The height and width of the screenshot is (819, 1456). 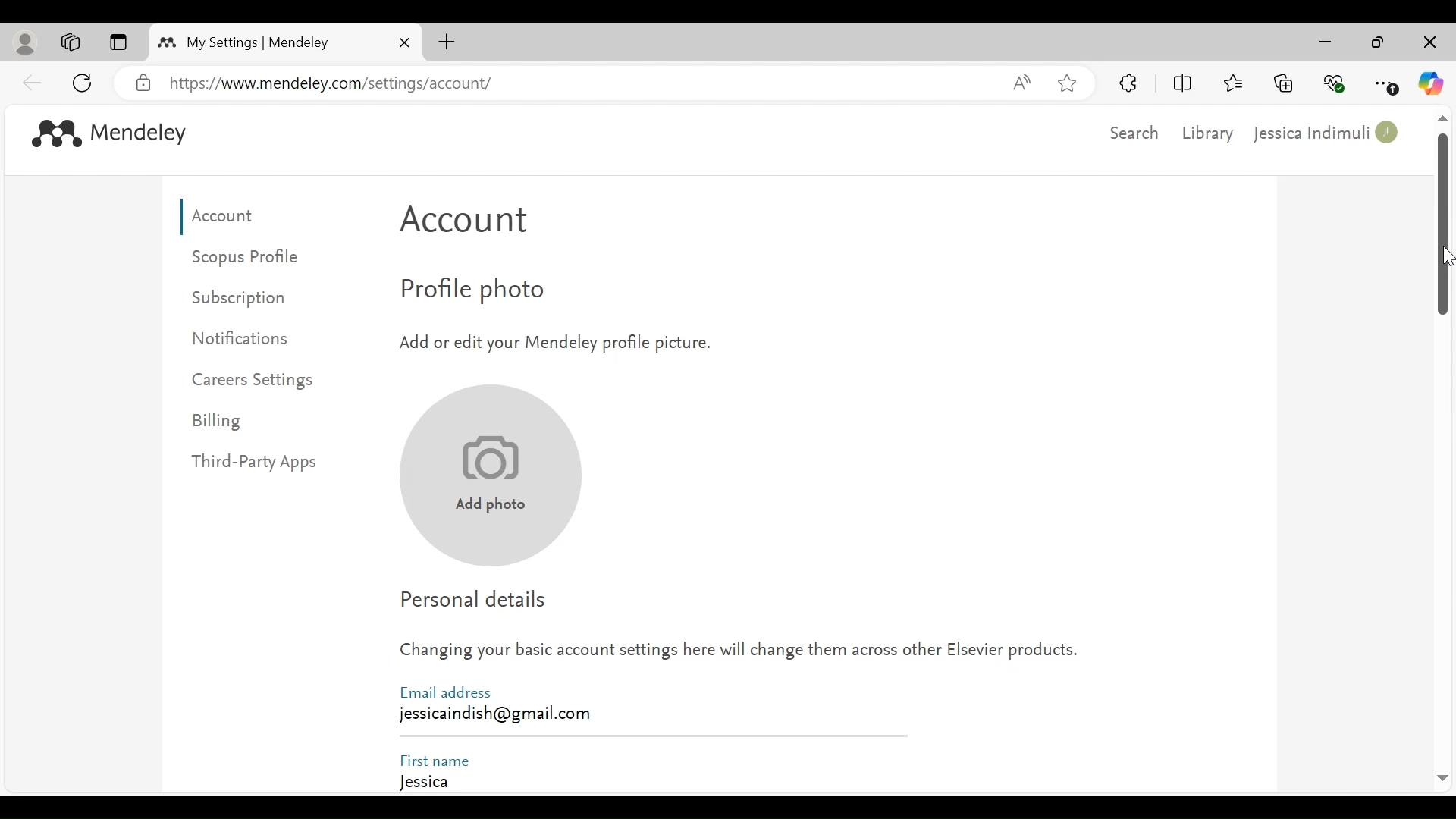 I want to click on Close, so click(x=404, y=42).